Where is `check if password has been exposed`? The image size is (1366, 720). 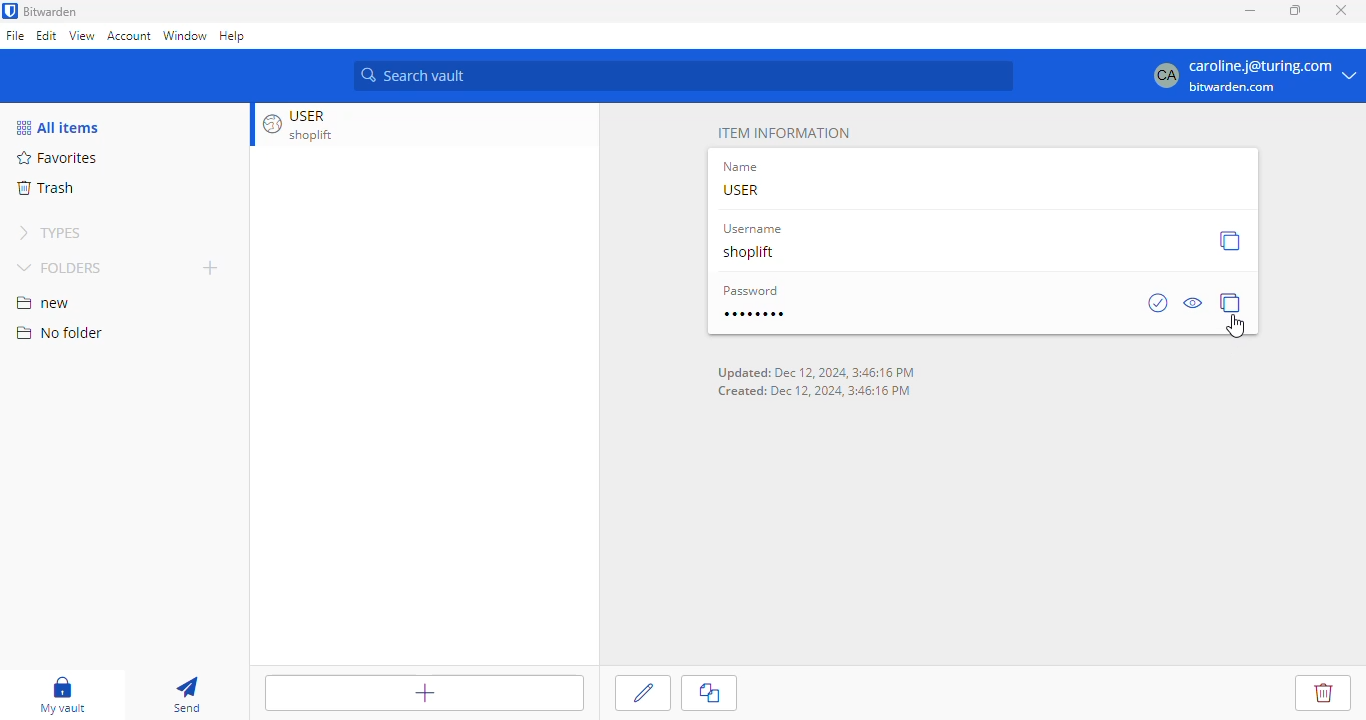 check if password has been exposed is located at coordinates (1158, 302).